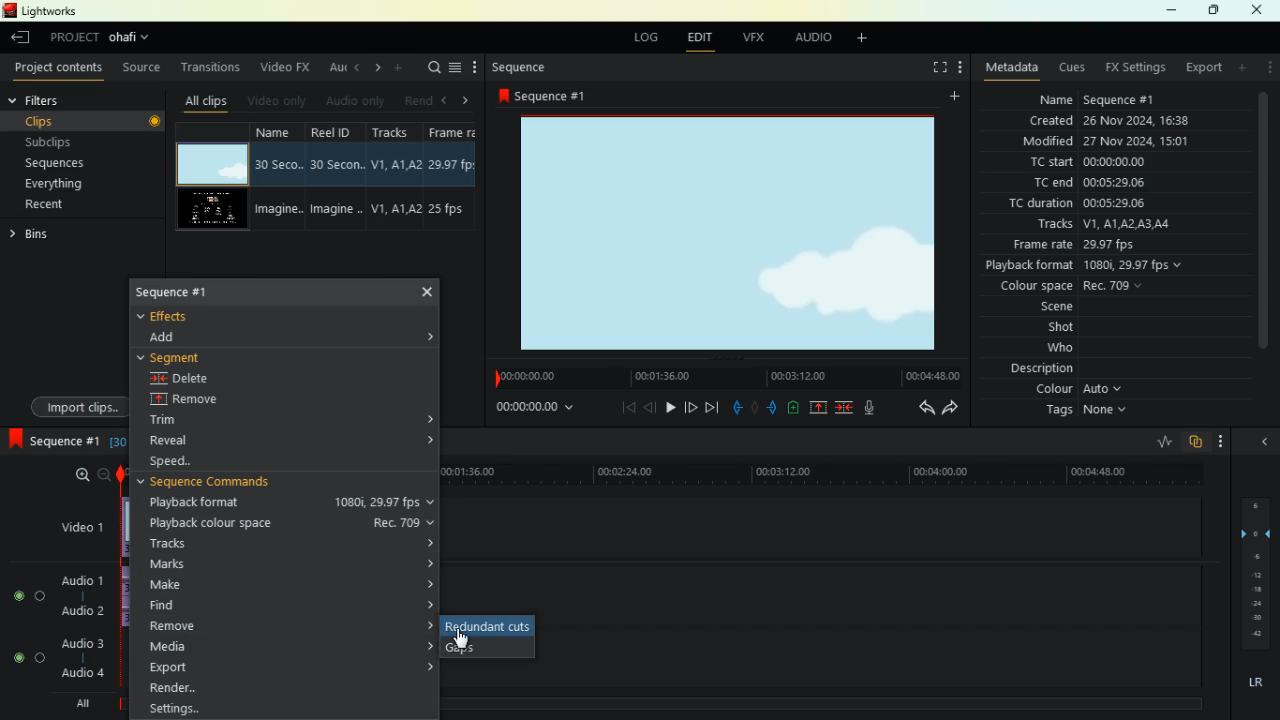  What do you see at coordinates (1085, 266) in the screenshot?
I see `playback format` at bounding box center [1085, 266].